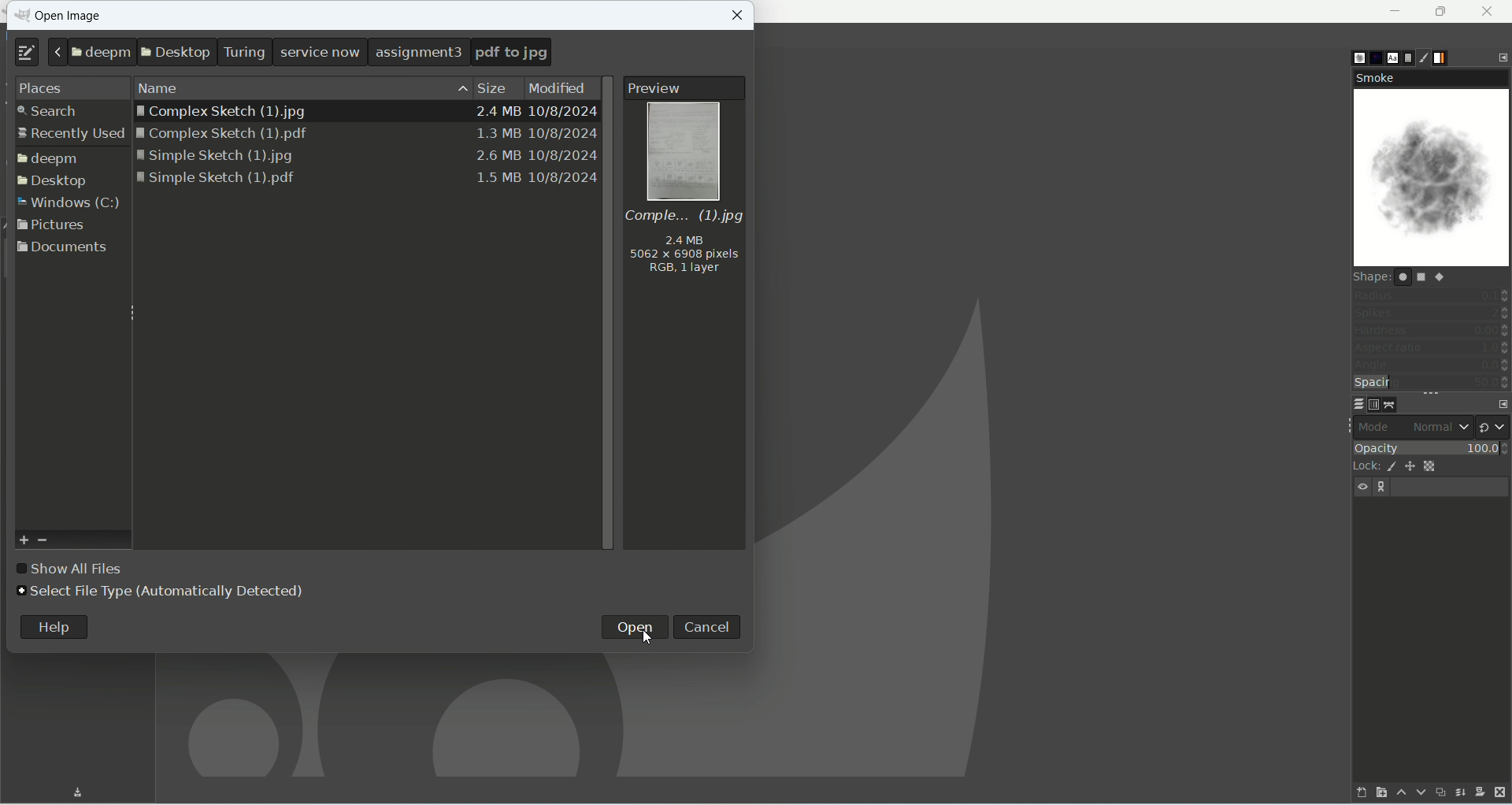 The height and width of the screenshot is (805, 1512). I want to click on add a mask, so click(1480, 791).